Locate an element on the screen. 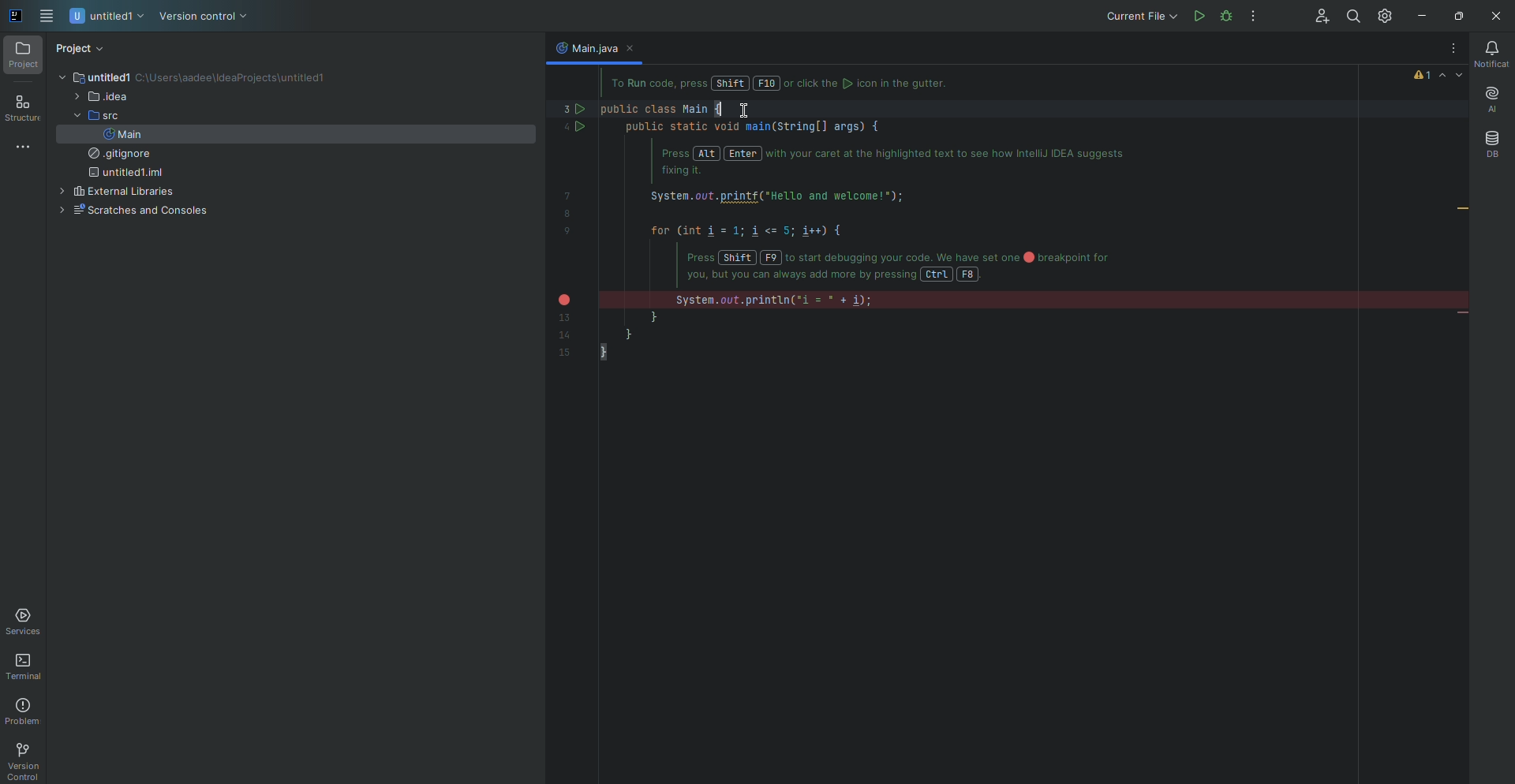 Image resolution: width=1515 pixels, height=784 pixels. Options is located at coordinates (1449, 49).